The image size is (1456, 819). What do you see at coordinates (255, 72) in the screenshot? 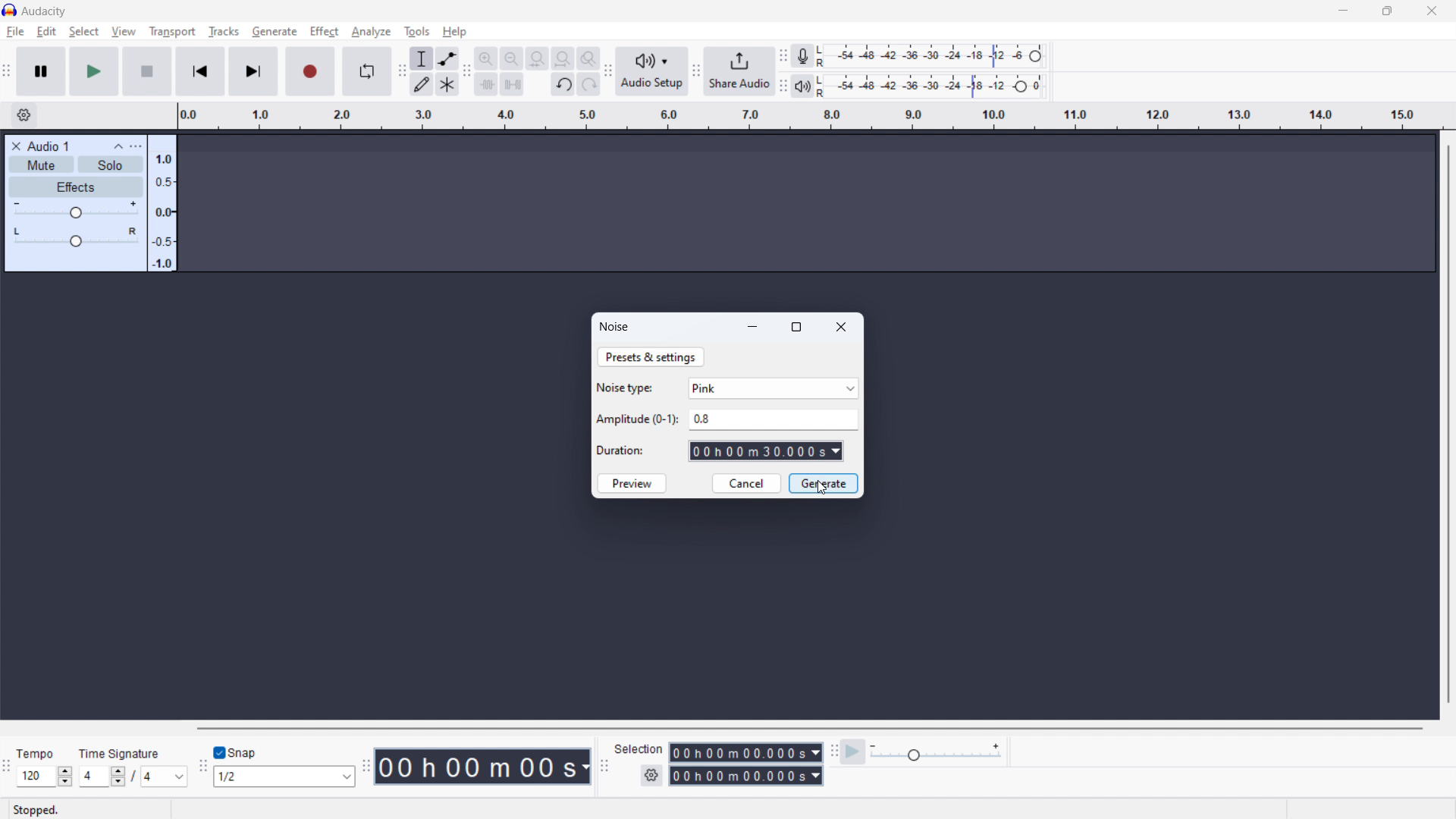
I see `skip to last` at bounding box center [255, 72].